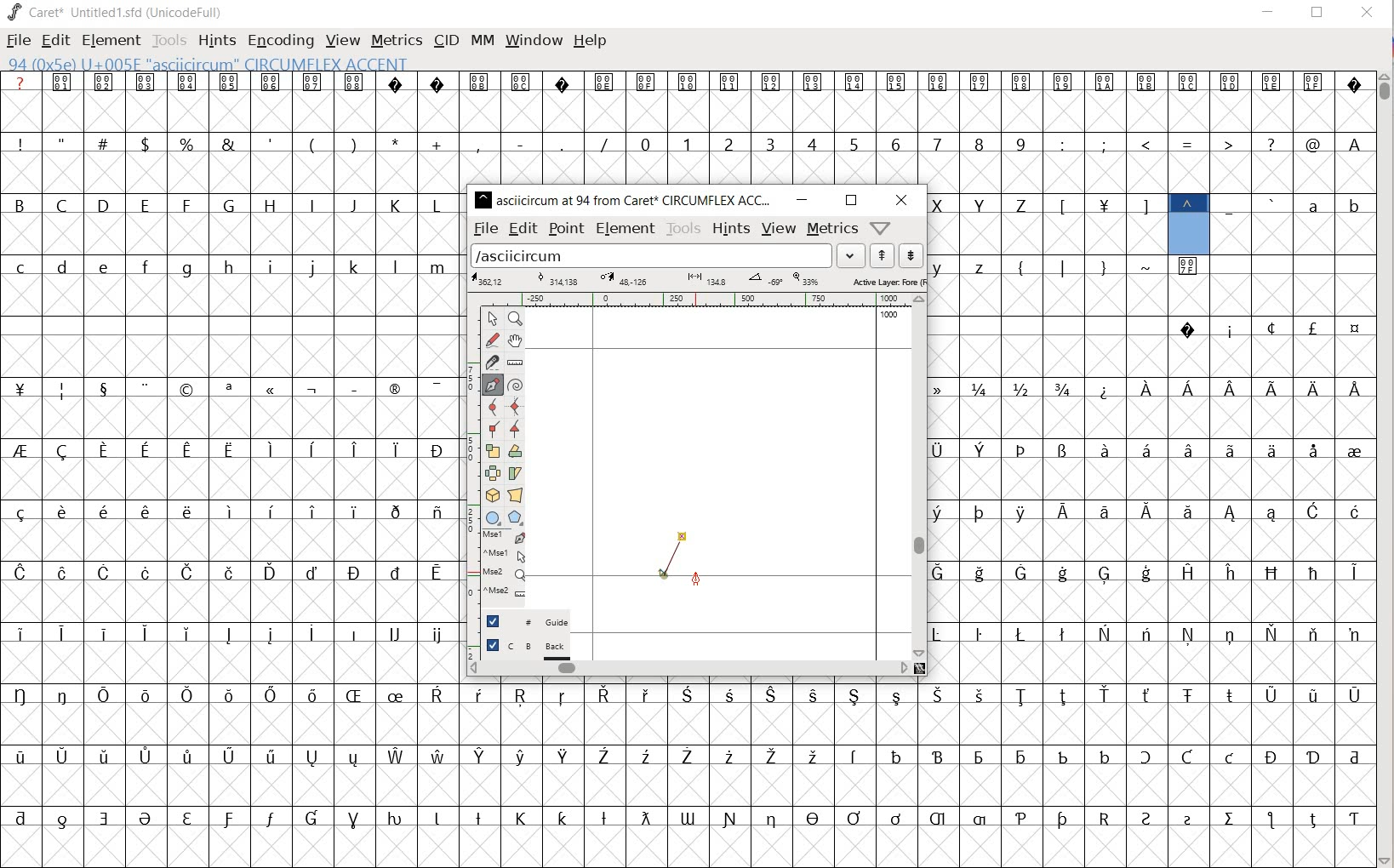  What do you see at coordinates (517, 494) in the screenshot?
I see `perform a perspective transformation on the selection` at bounding box center [517, 494].